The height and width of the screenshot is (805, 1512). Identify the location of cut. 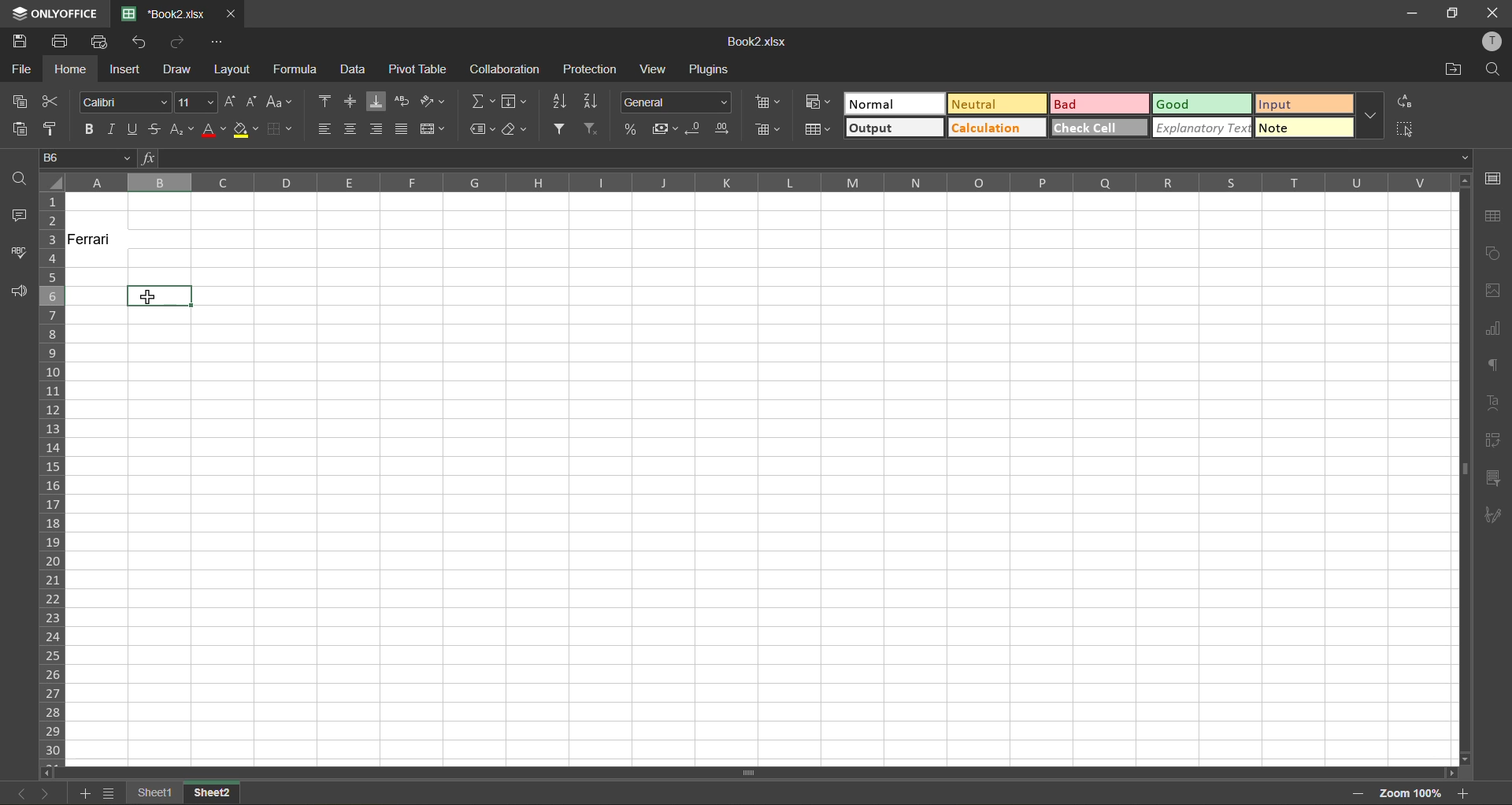
(50, 102).